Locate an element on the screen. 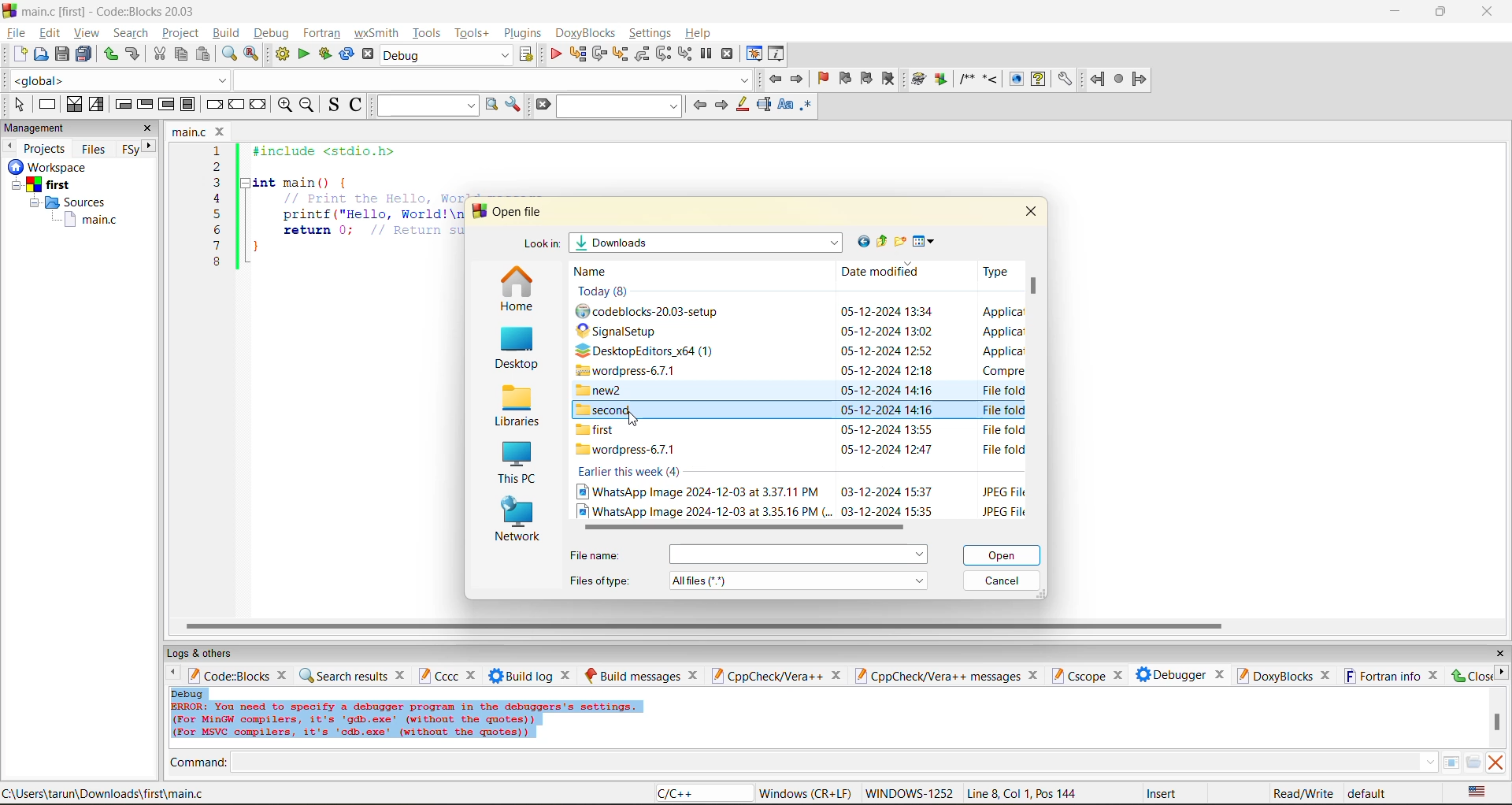  replace is located at coordinates (252, 54).